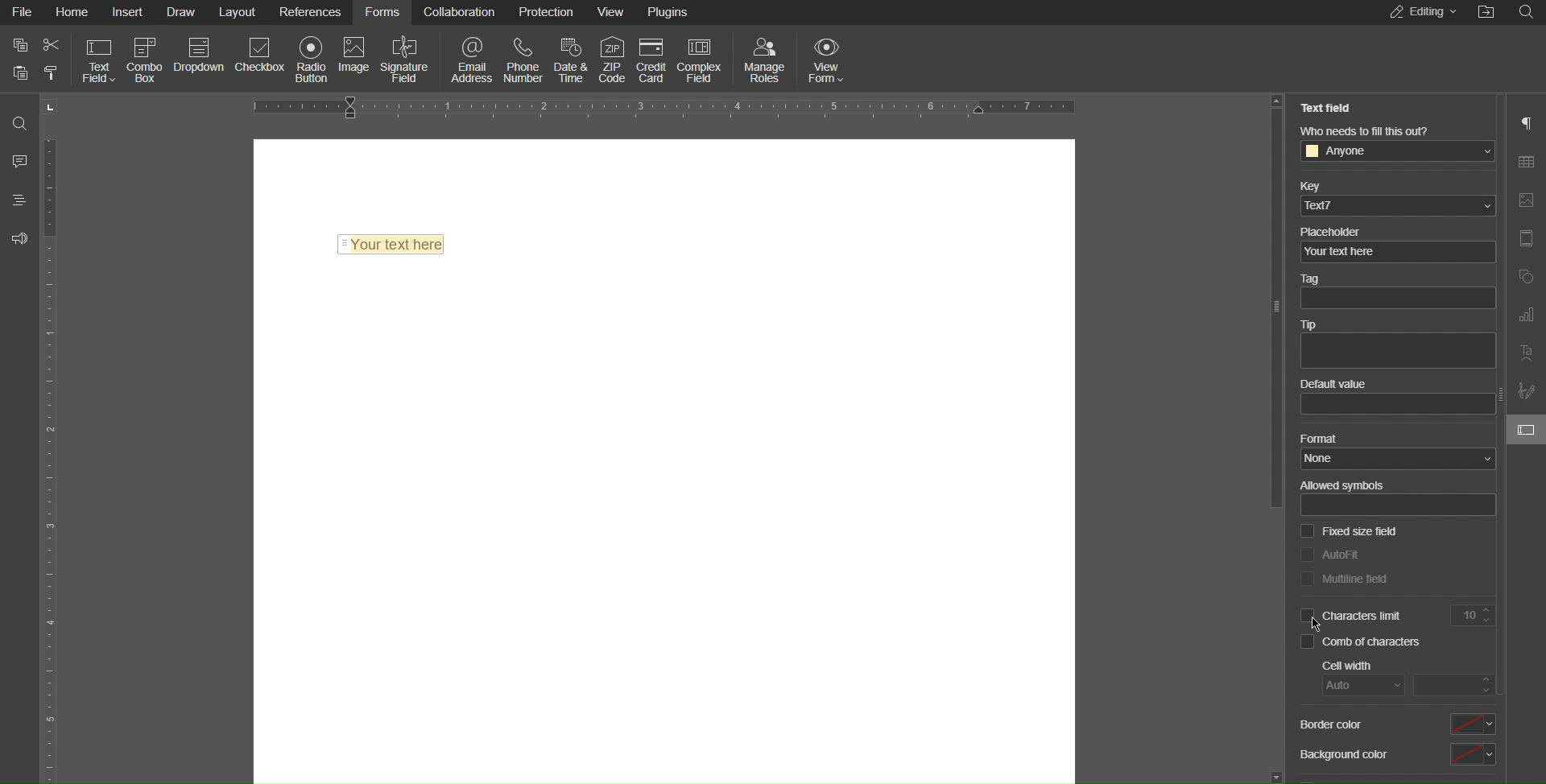 The image size is (1546, 784). What do you see at coordinates (548, 14) in the screenshot?
I see `Protection` at bounding box center [548, 14].